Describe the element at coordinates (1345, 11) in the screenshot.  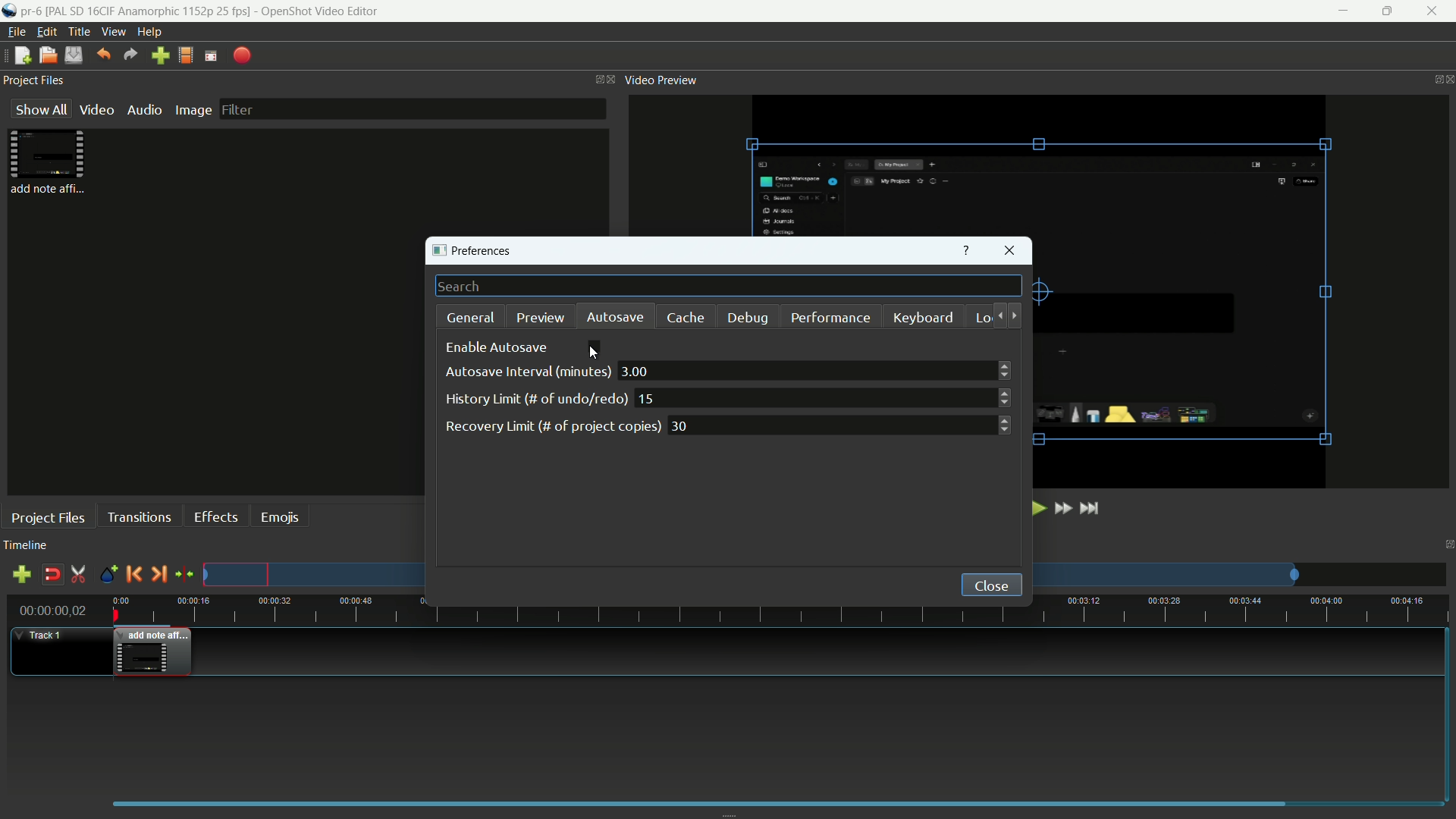
I see `minimize` at that location.